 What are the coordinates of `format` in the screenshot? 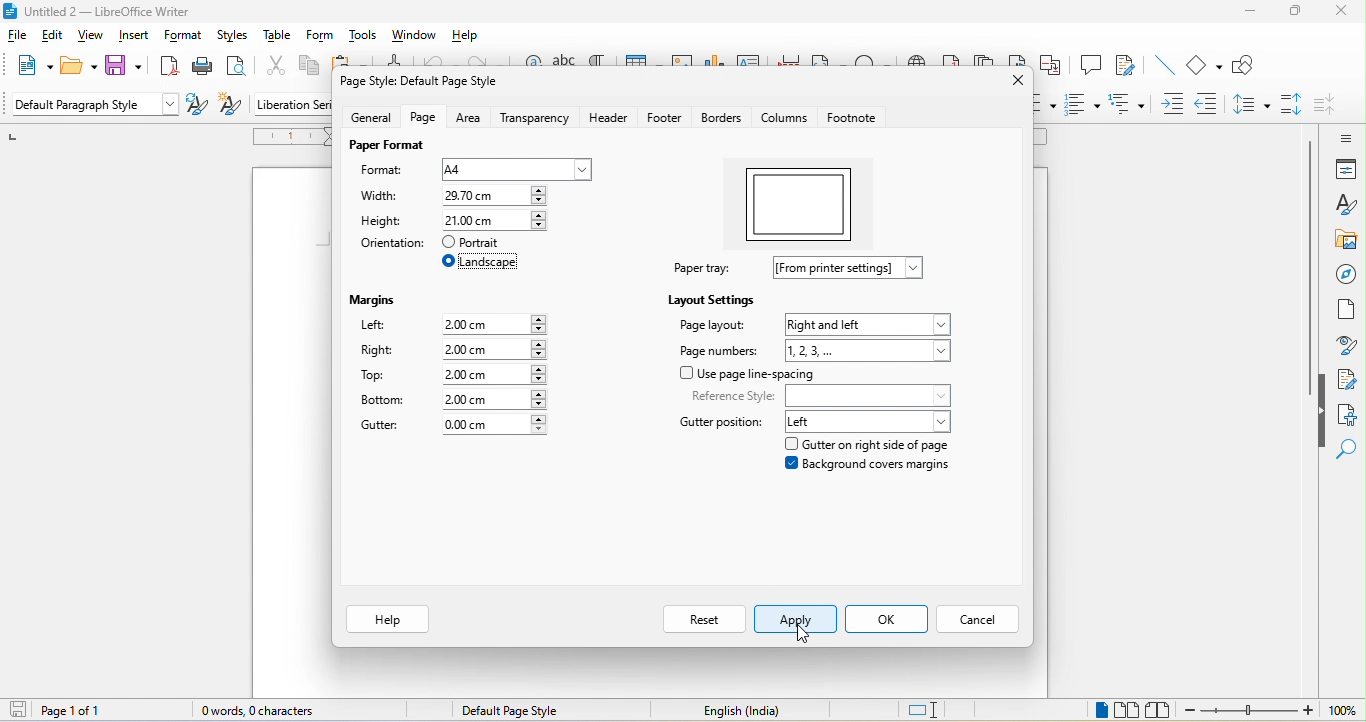 It's located at (383, 171).